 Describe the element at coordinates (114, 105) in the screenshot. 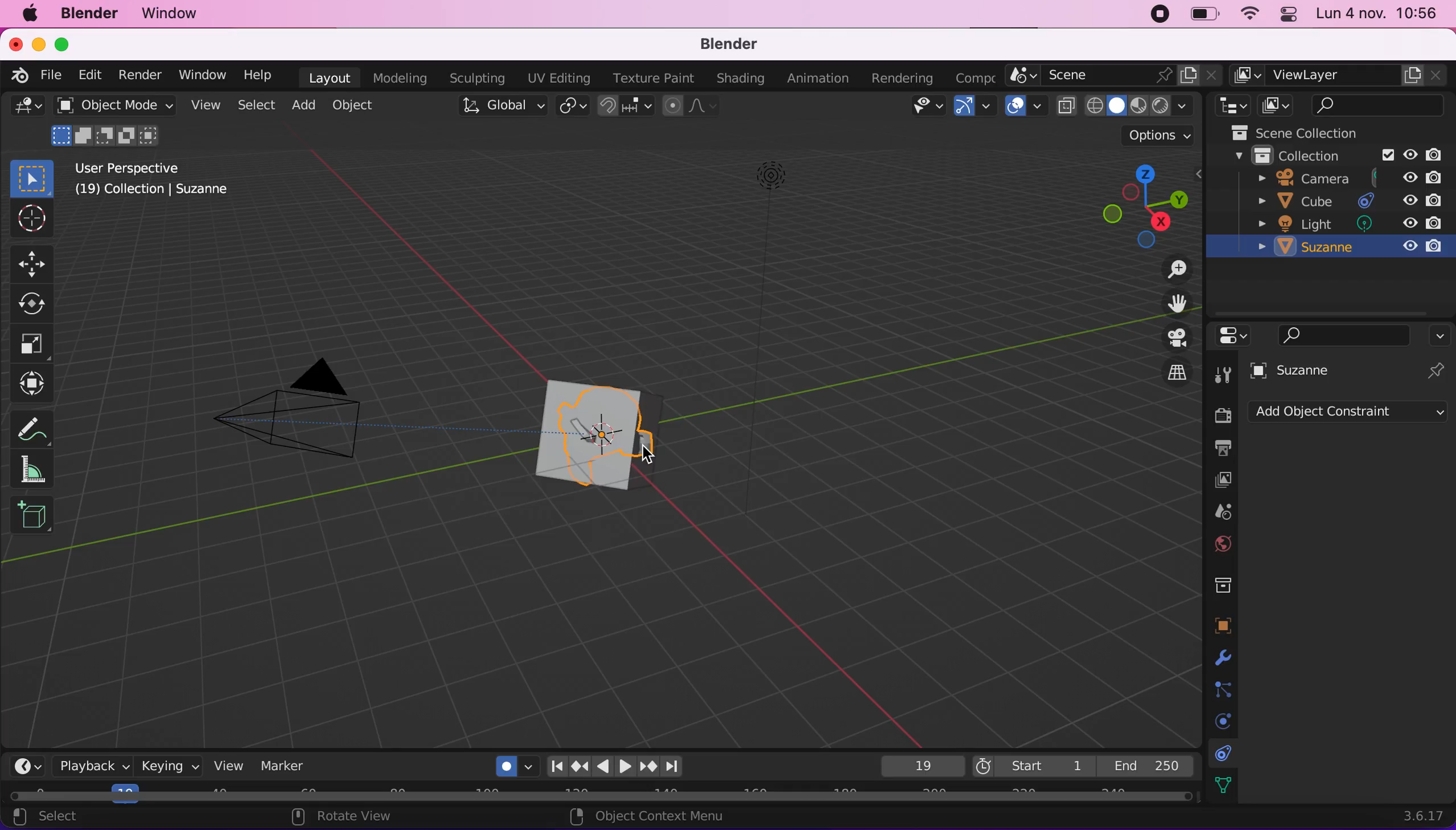

I see `object mode` at that location.